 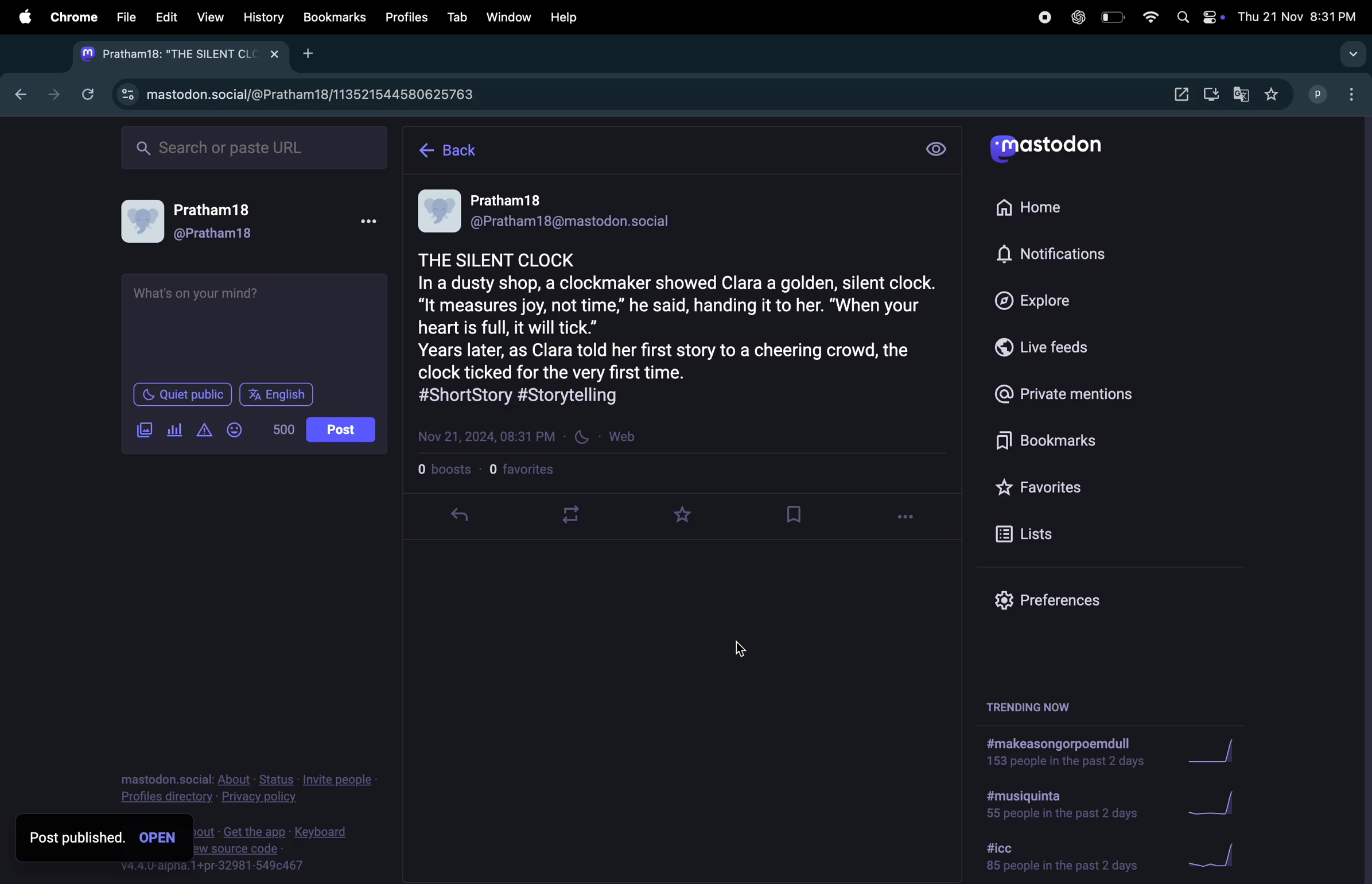 I want to click on favourites, so click(x=530, y=470).